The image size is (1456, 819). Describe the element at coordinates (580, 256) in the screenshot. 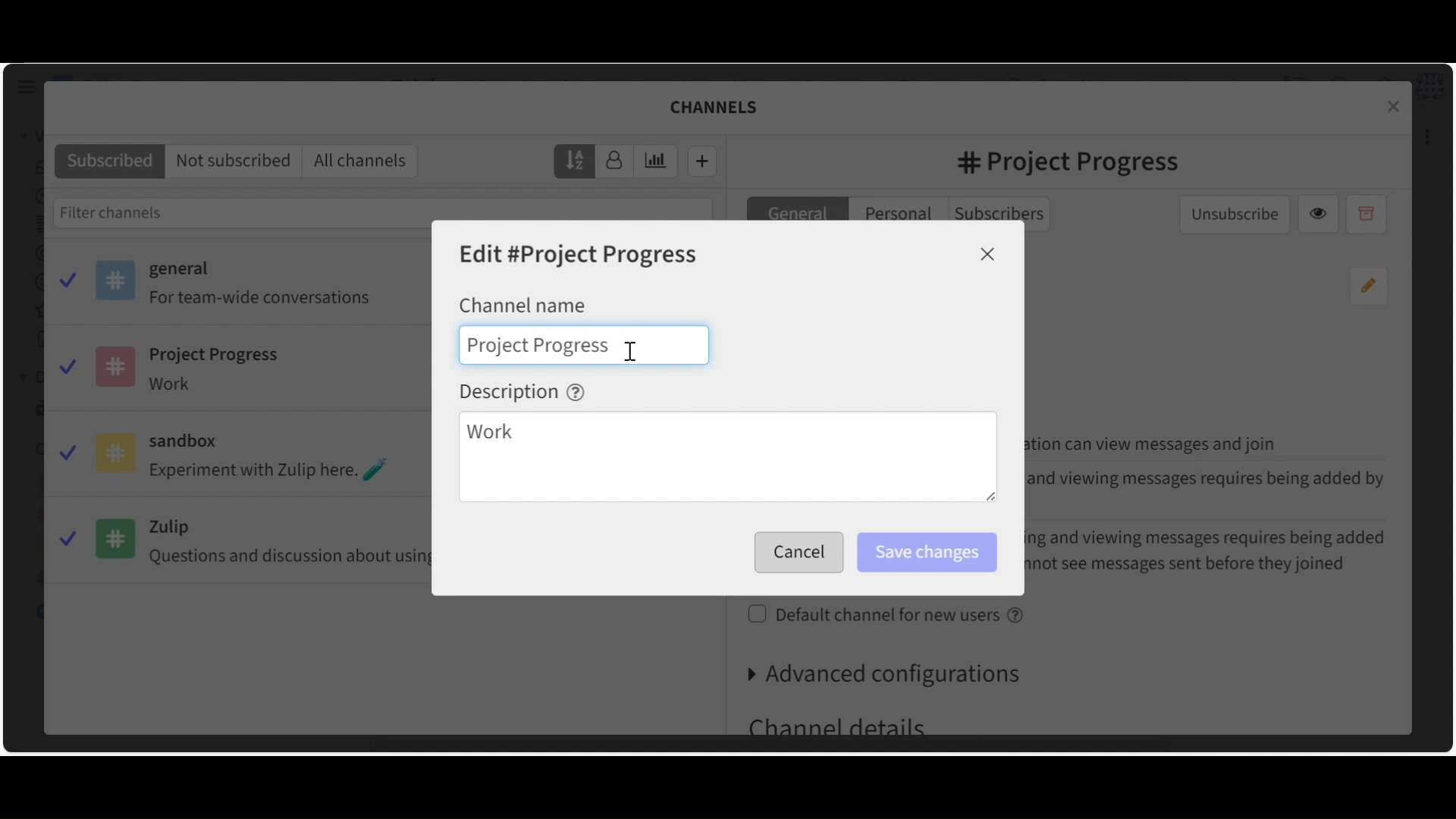

I see `Edit Channel` at that location.